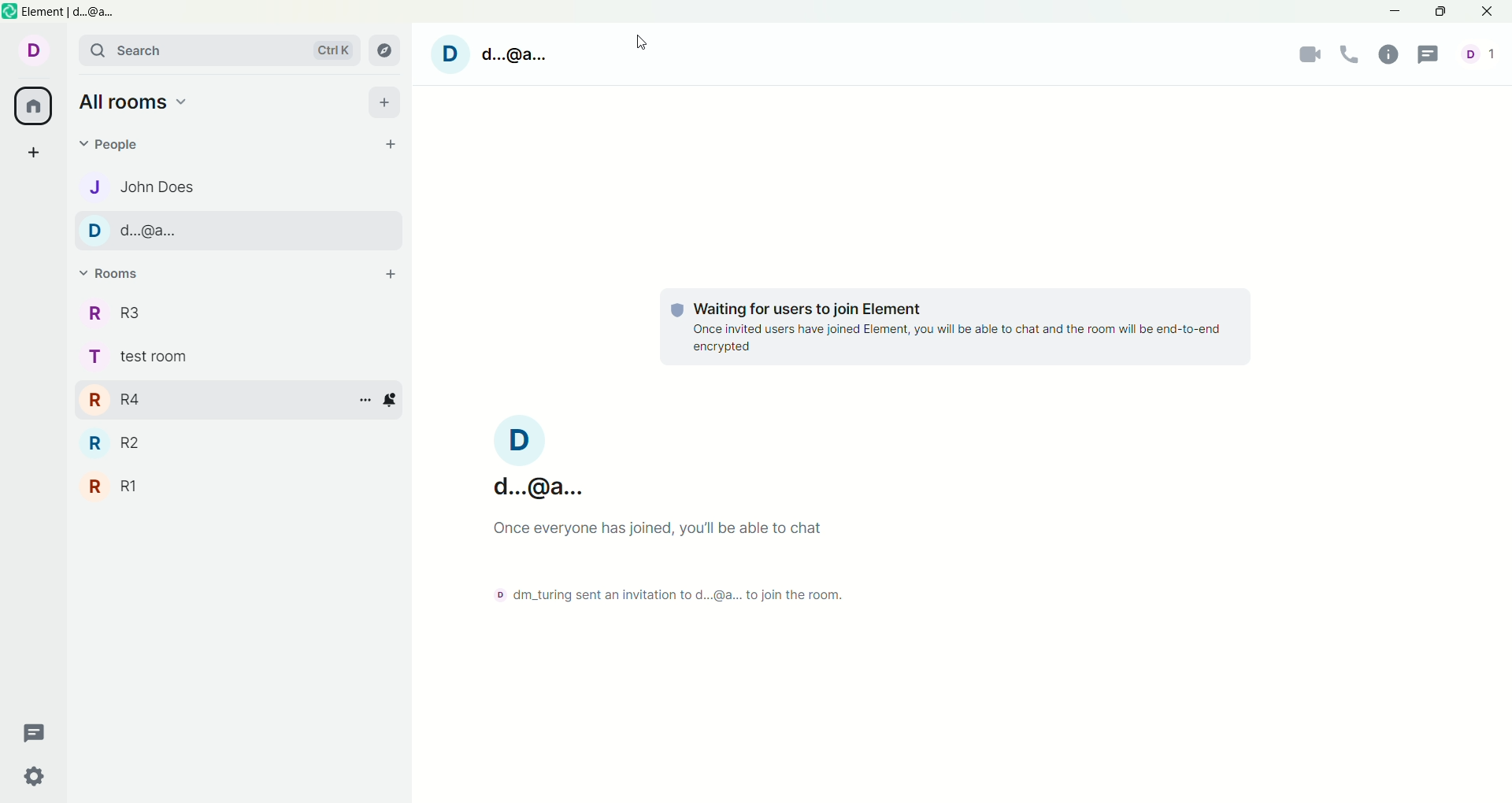 This screenshot has width=1512, height=803. What do you see at coordinates (239, 485) in the screenshot?
I see `R1 room` at bounding box center [239, 485].